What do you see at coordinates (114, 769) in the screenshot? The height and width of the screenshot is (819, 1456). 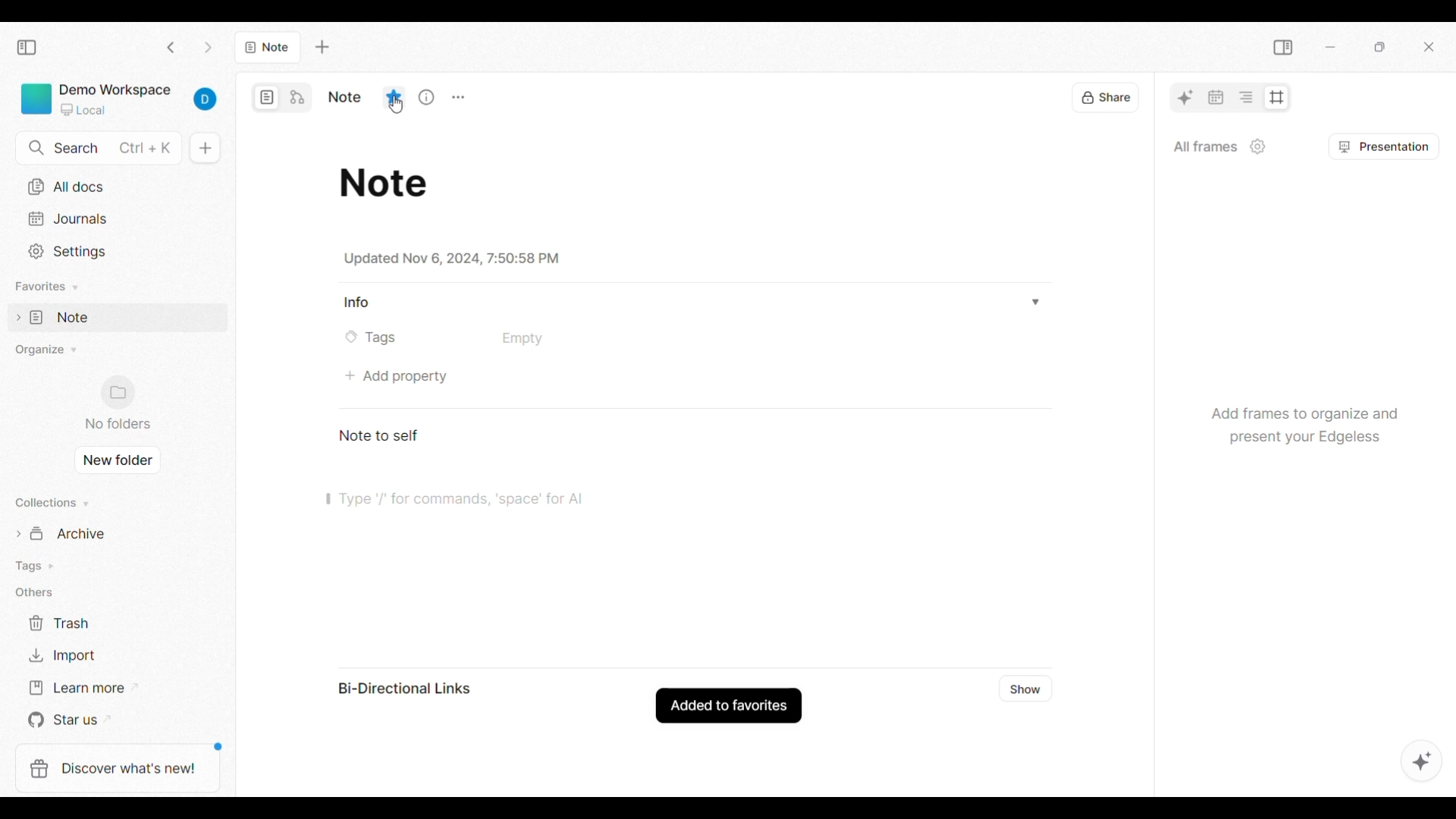 I see `Discover what's new` at bounding box center [114, 769].